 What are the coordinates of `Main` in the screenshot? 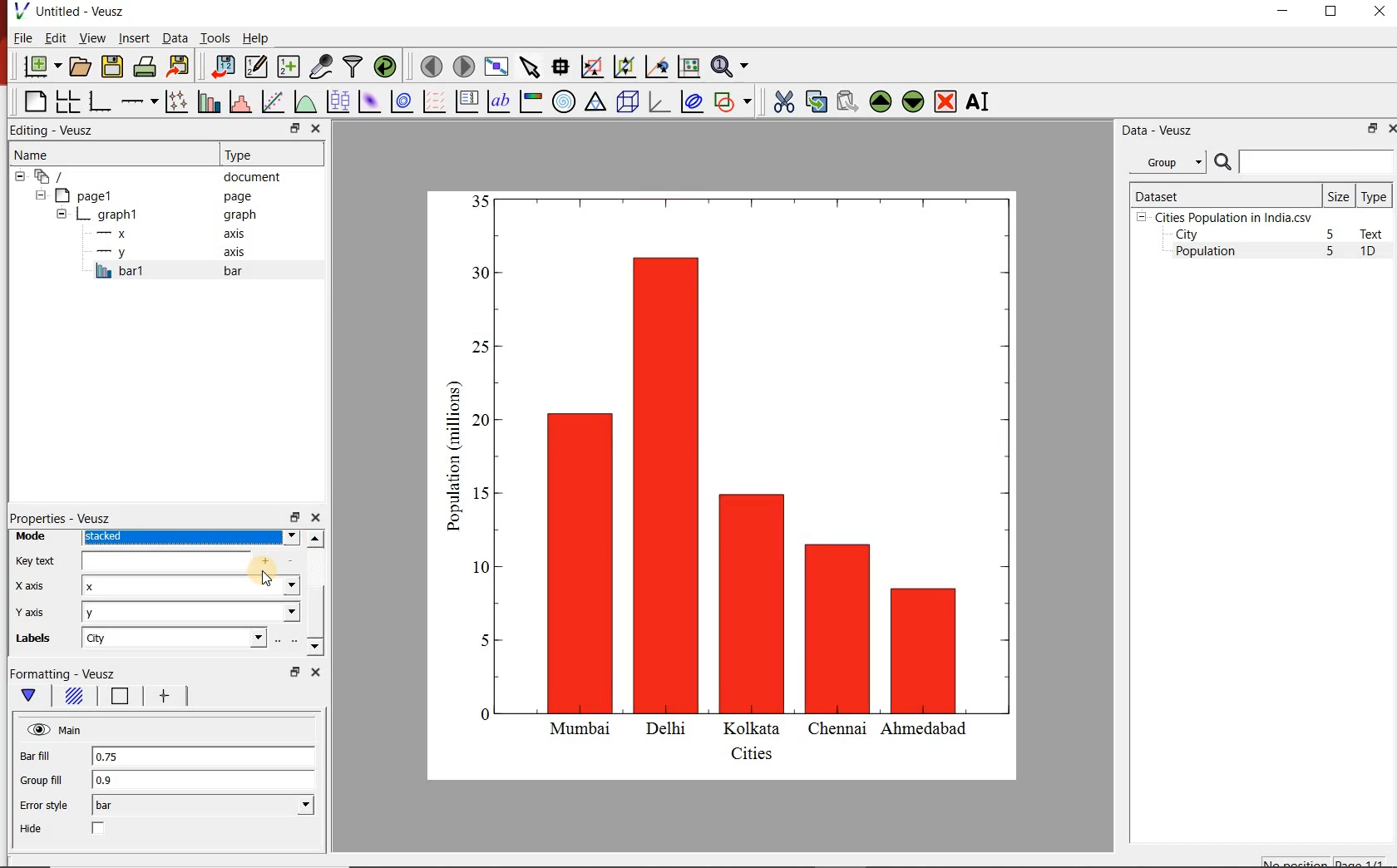 It's located at (56, 730).